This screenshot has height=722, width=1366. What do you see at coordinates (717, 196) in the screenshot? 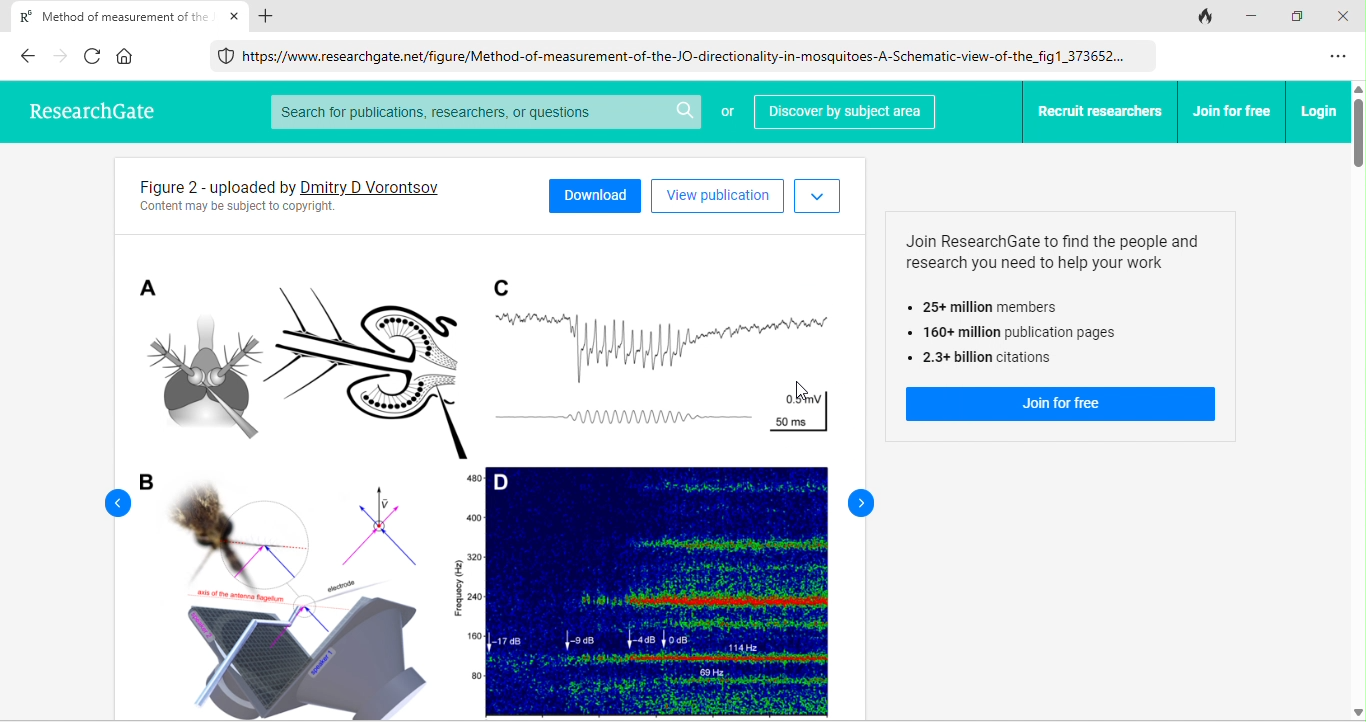
I see `view publication` at bounding box center [717, 196].